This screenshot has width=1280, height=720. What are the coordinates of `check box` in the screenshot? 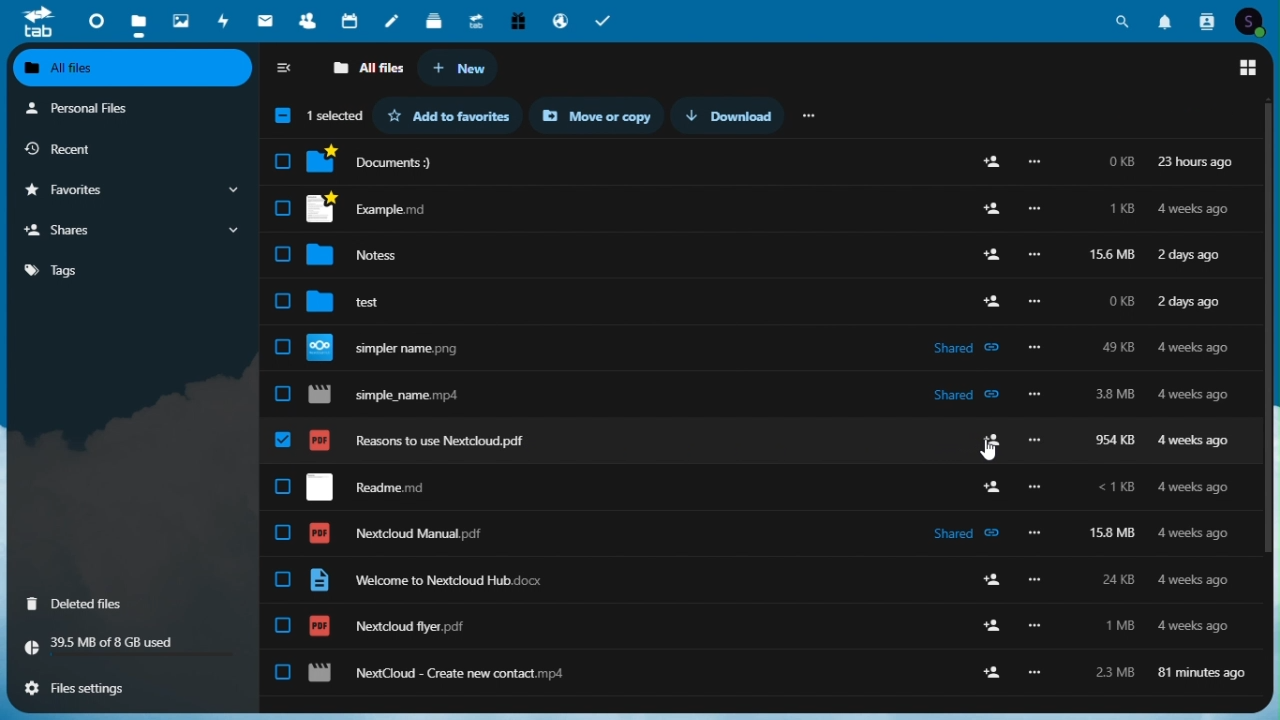 It's located at (286, 163).